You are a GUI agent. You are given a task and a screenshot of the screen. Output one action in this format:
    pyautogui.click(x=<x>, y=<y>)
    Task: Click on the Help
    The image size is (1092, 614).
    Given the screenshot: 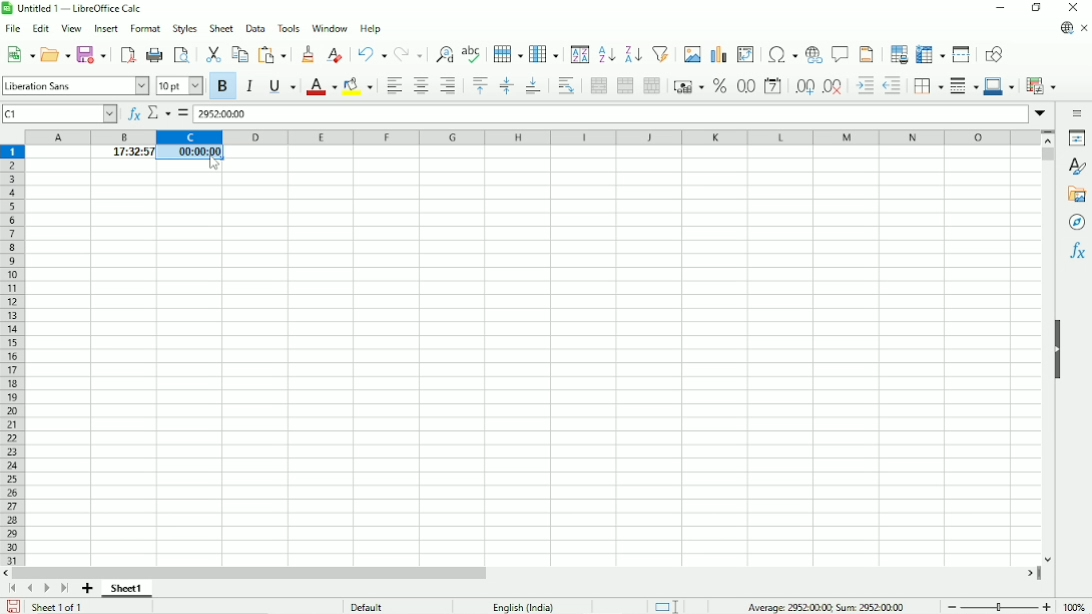 What is the action you would take?
    pyautogui.click(x=370, y=28)
    